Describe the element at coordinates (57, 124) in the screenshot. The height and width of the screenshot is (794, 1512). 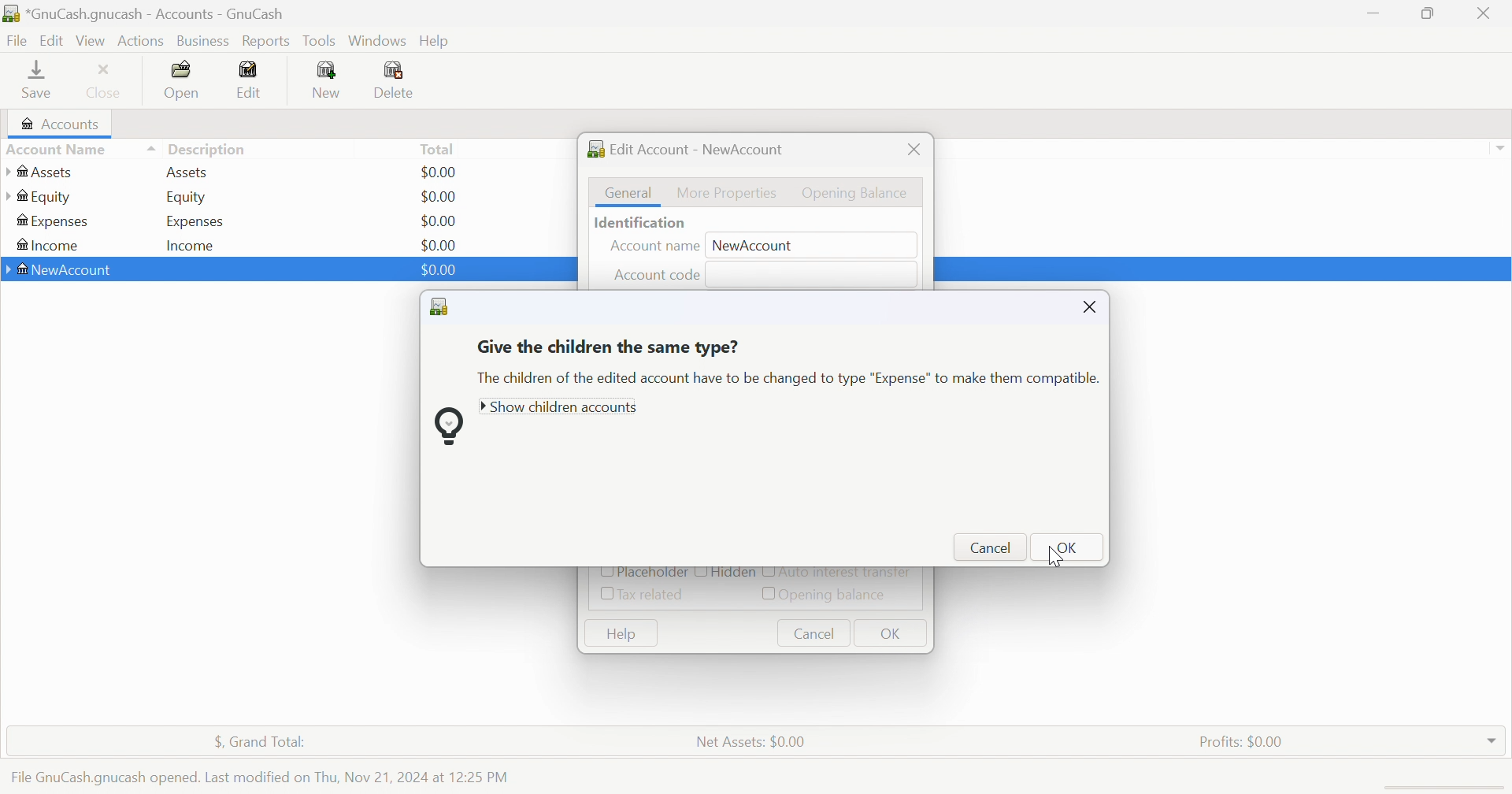
I see `Accounts` at that location.